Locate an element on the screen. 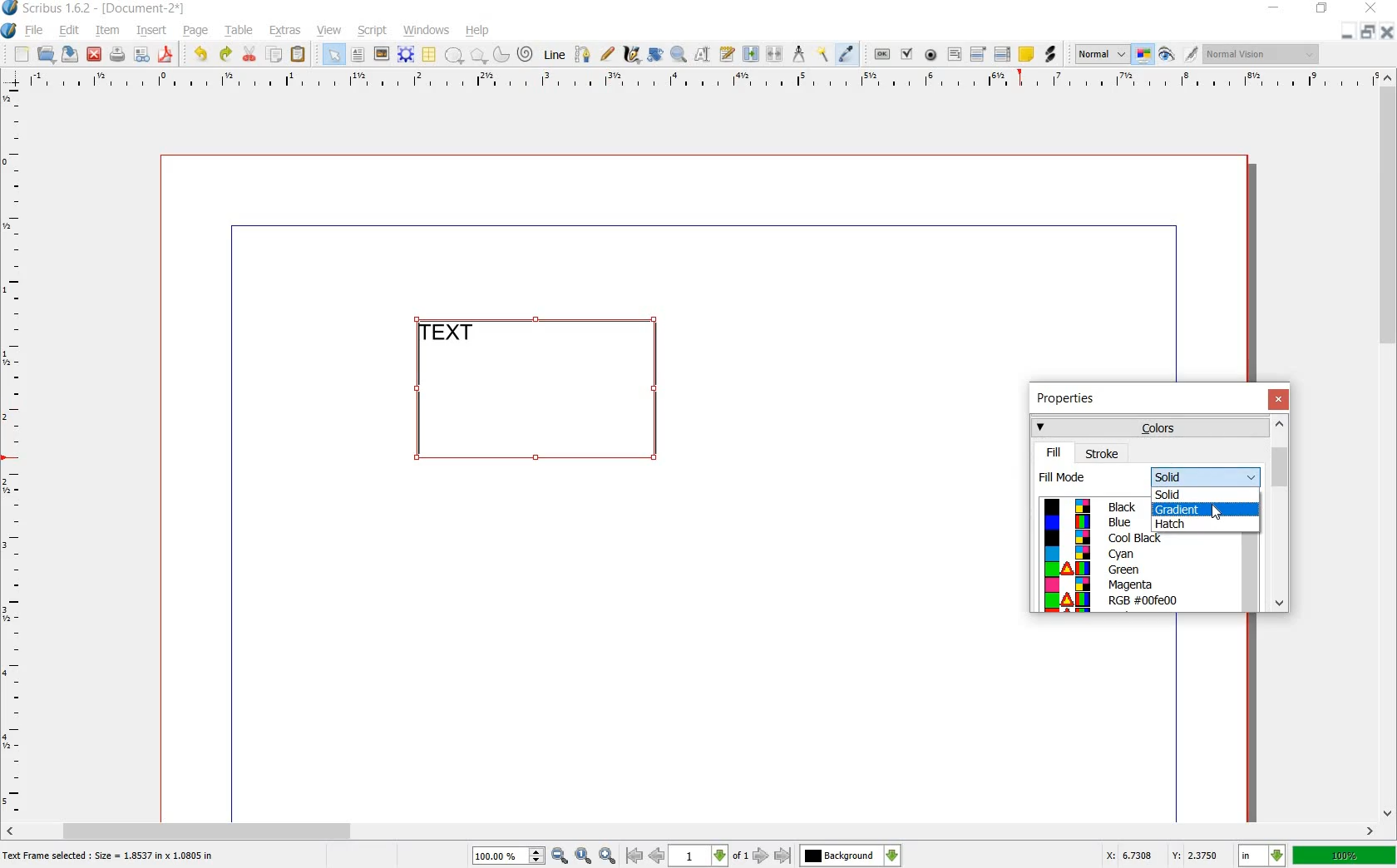 The height and width of the screenshot is (868, 1397). properties is located at coordinates (1071, 400).